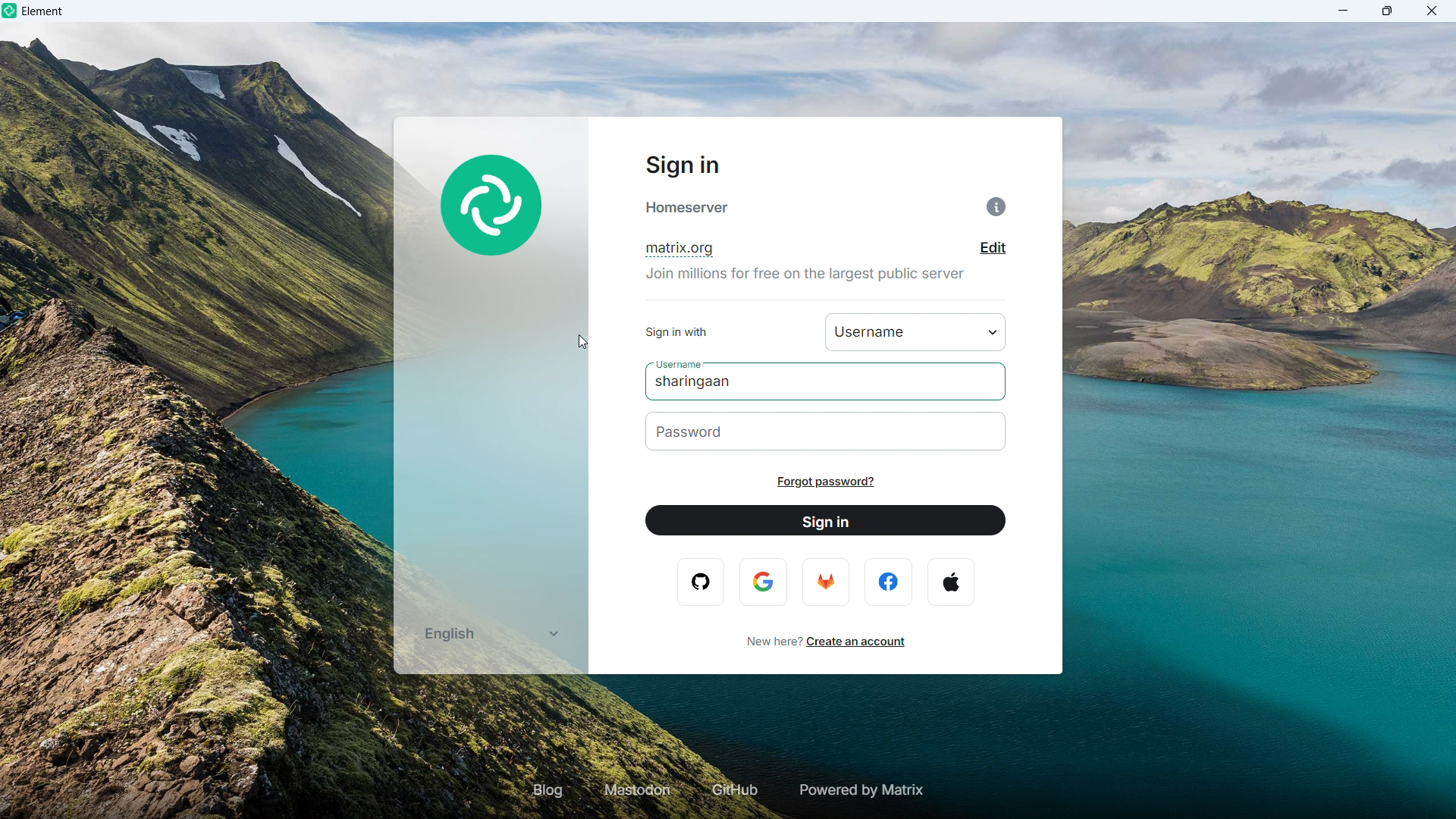 This screenshot has height=819, width=1456. What do you see at coordinates (993, 248) in the screenshot?
I see `Edit domain ` at bounding box center [993, 248].